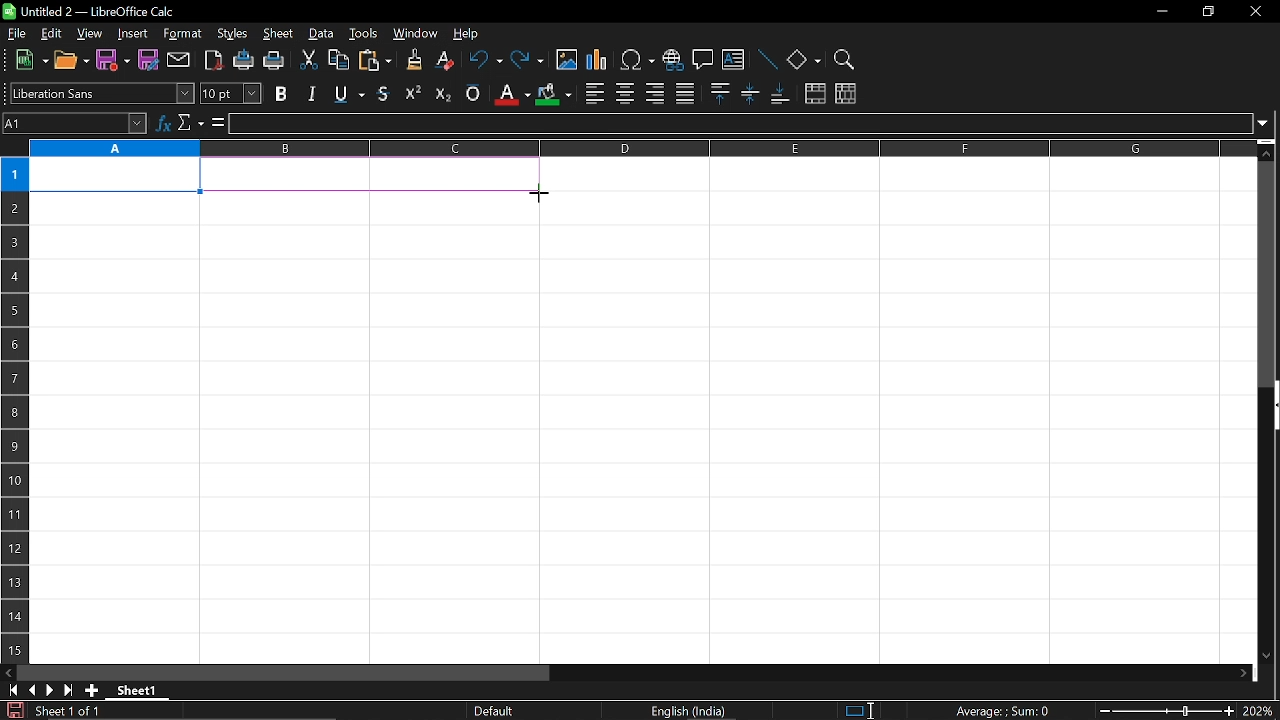 Image resolution: width=1280 pixels, height=720 pixels. Describe the element at coordinates (654, 94) in the screenshot. I see `align right` at that location.